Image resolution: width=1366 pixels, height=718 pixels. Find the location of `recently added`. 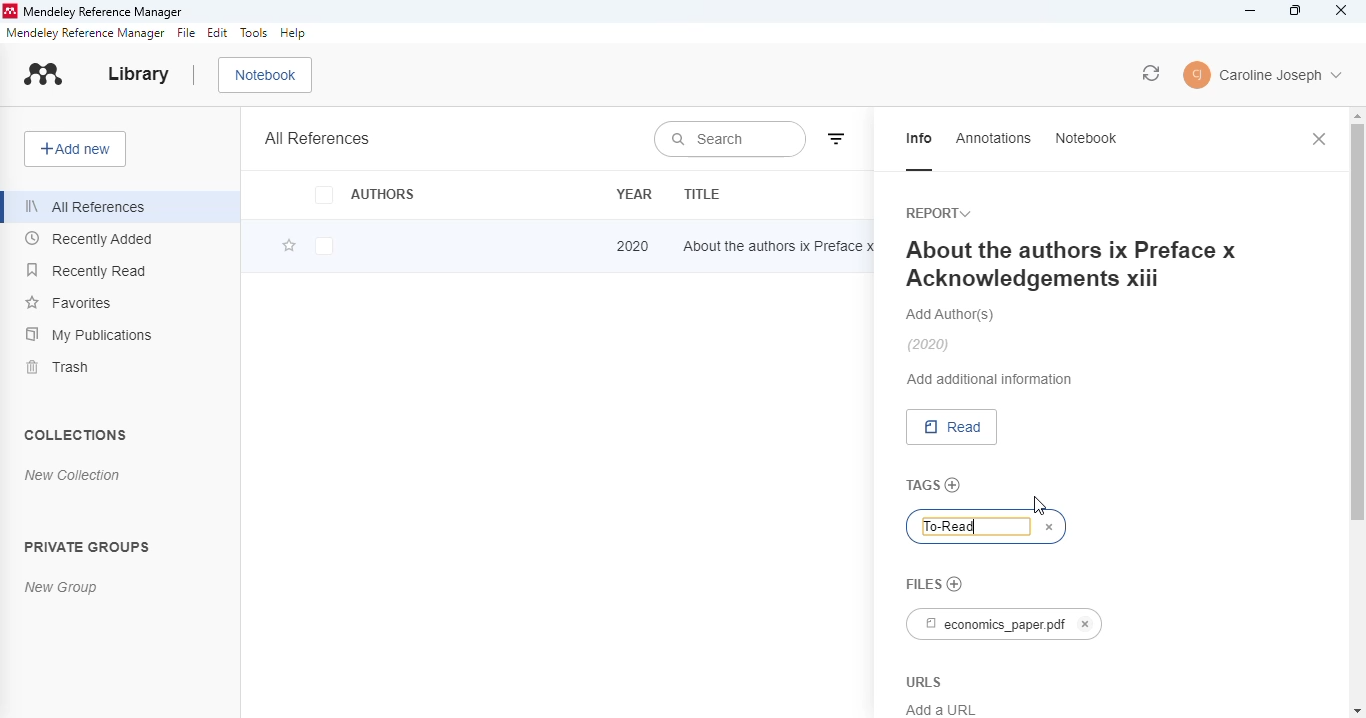

recently added is located at coordinates (91, 239).